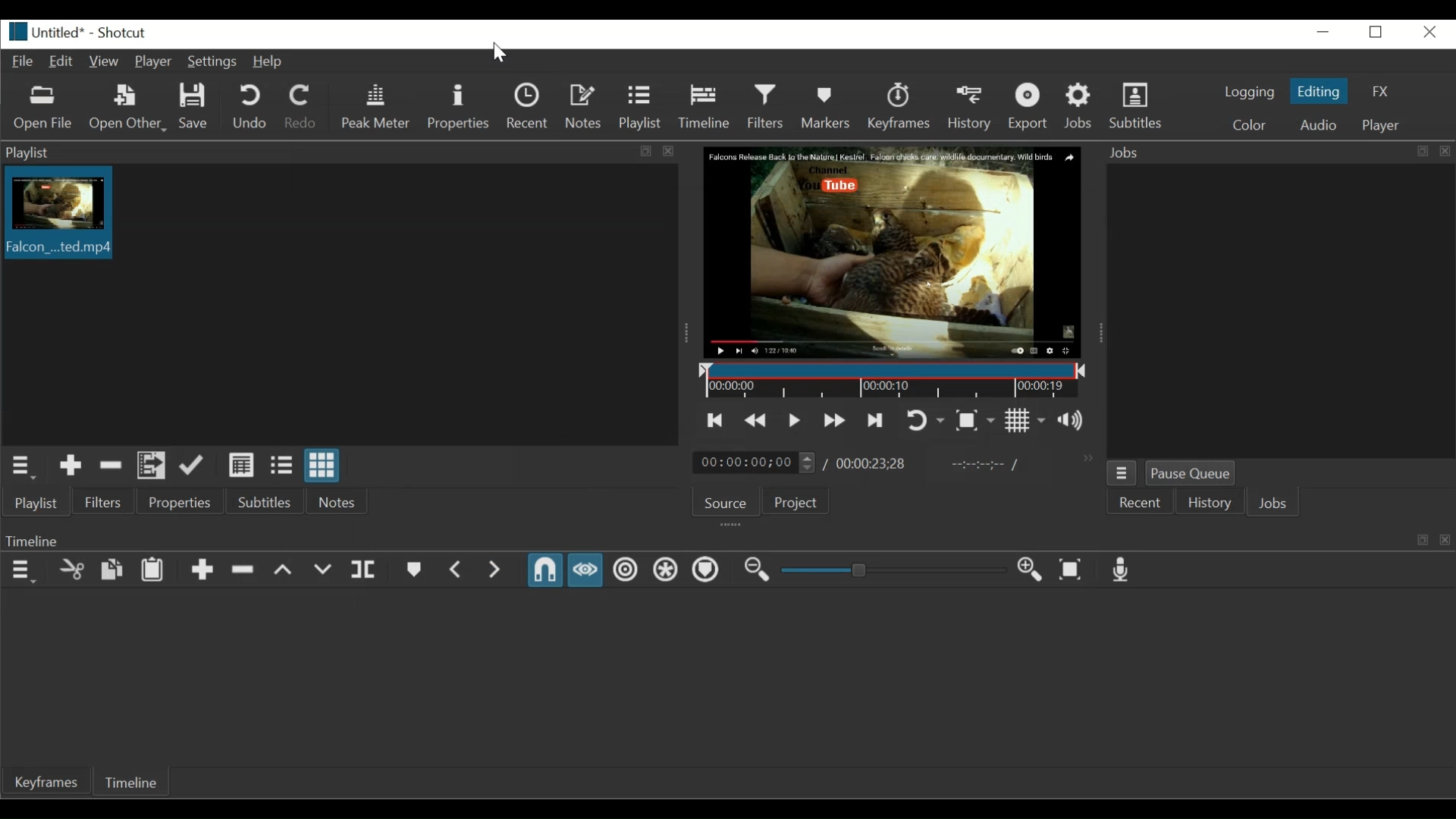  I want to click on /00:00:23:28(Total Duration), so click(868, 461).